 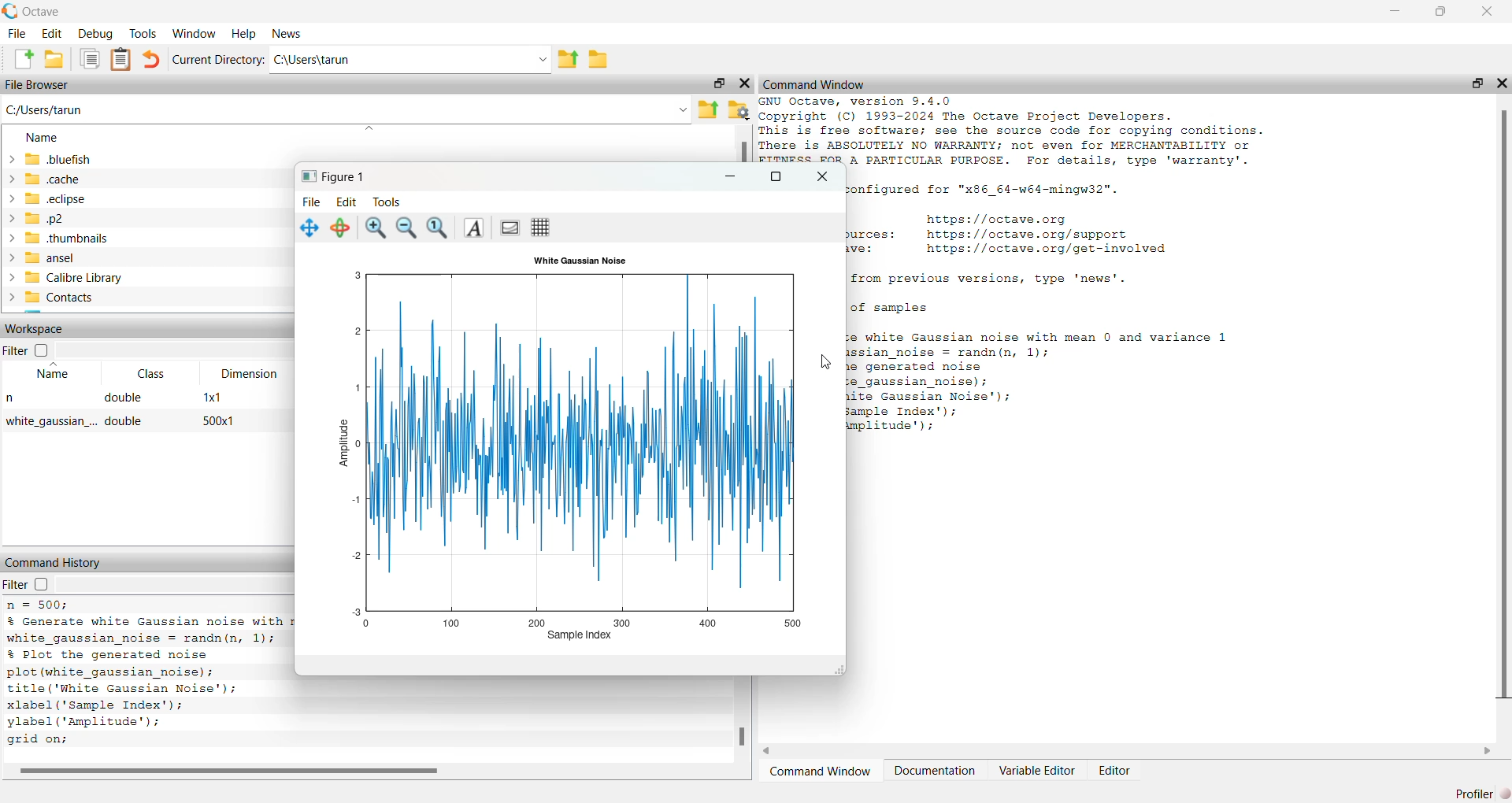 What do you see at coordinates (741, 143) in the screenshot?
I see `vertical scroll bar` at bounding box center [741, 143].